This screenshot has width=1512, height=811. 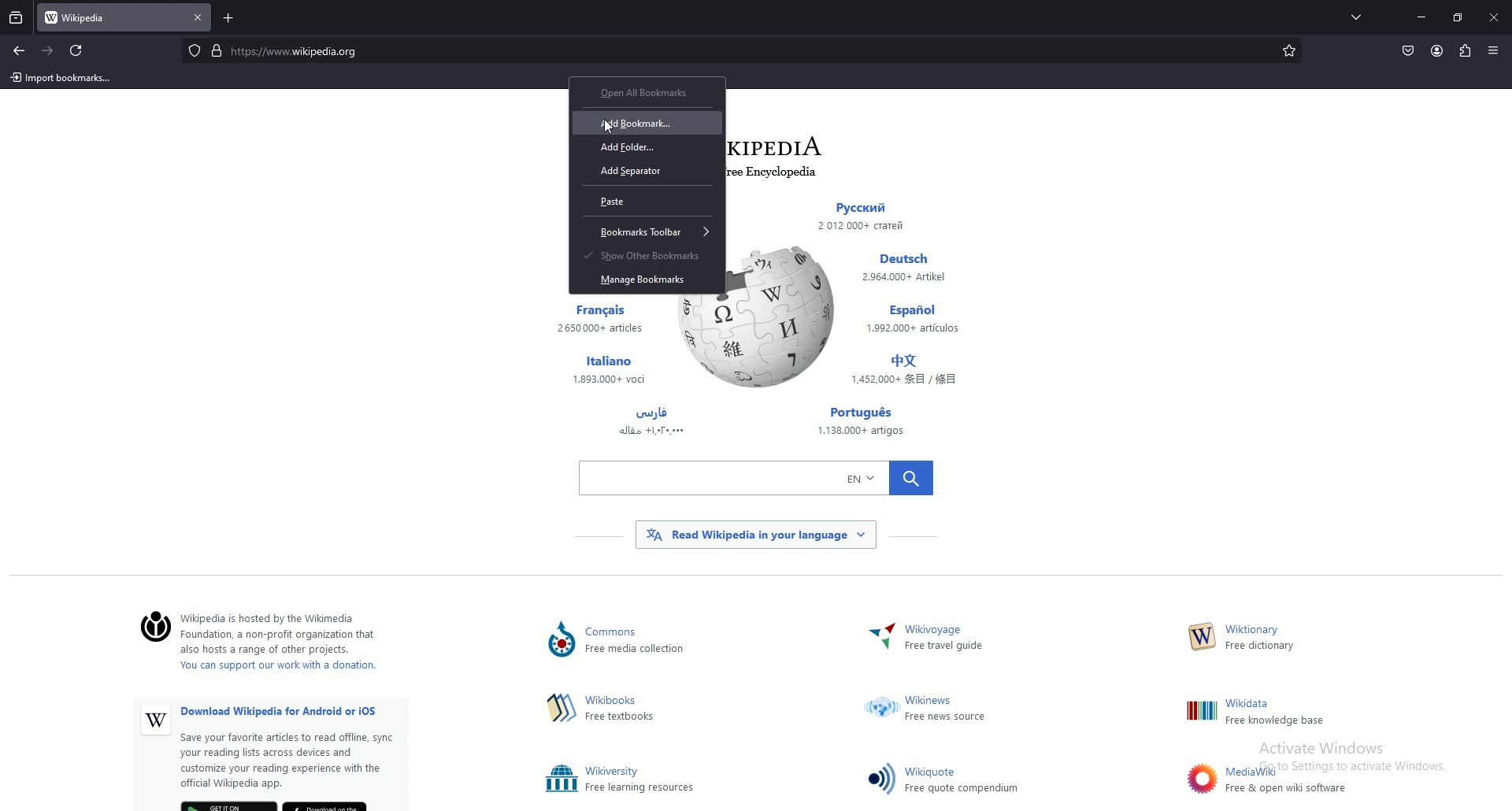 What do you see at coordinates (921, 321) in the screenshot?
I see `` at bounding box center [921, 321].